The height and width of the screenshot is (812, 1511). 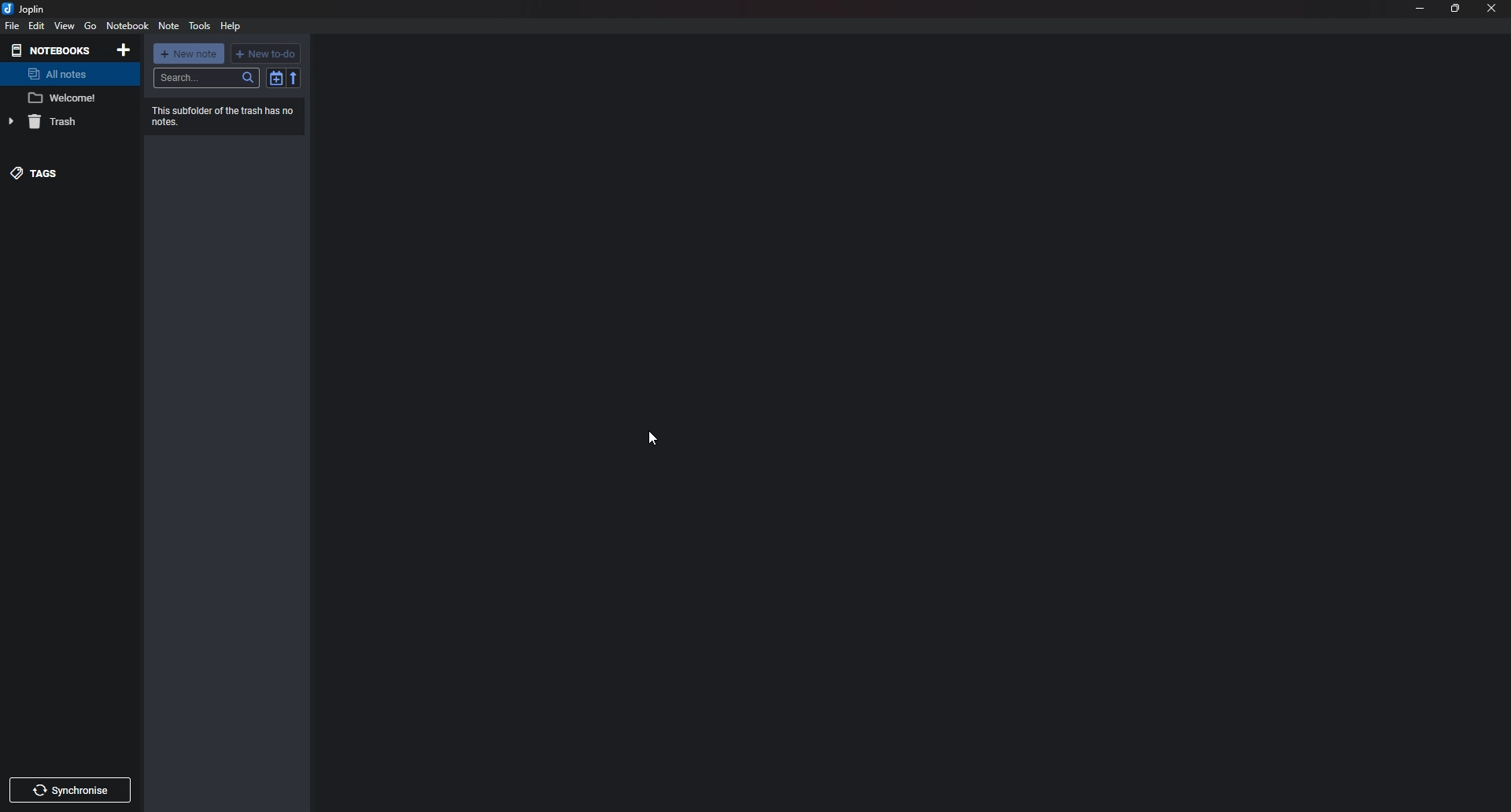 I want to click on Tools, so click(x=199, y=25).